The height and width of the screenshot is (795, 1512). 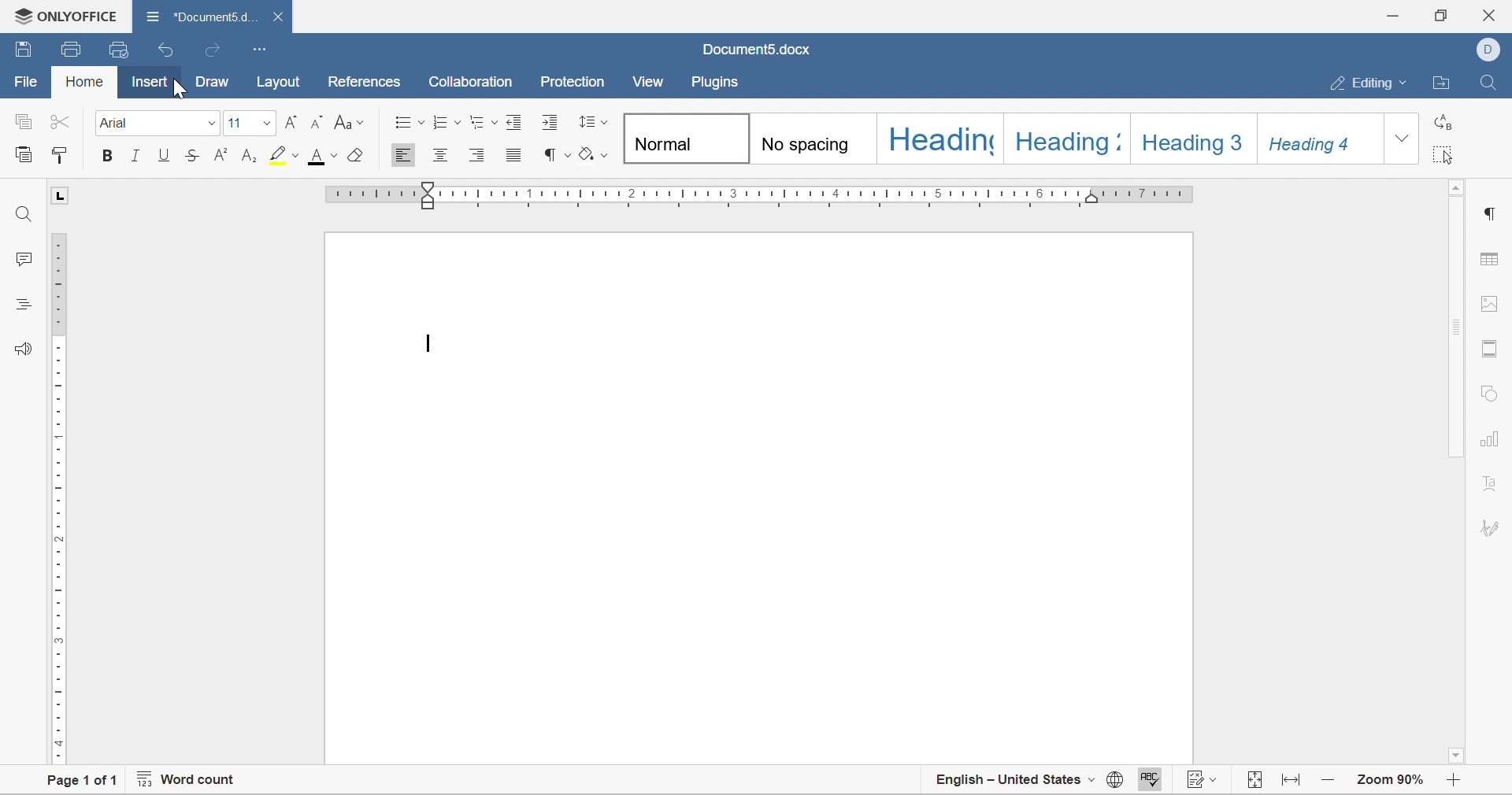 What do you see at coordinates (247, 121) in the screenshot?
I see `font size` at bounding box center [247, 121].